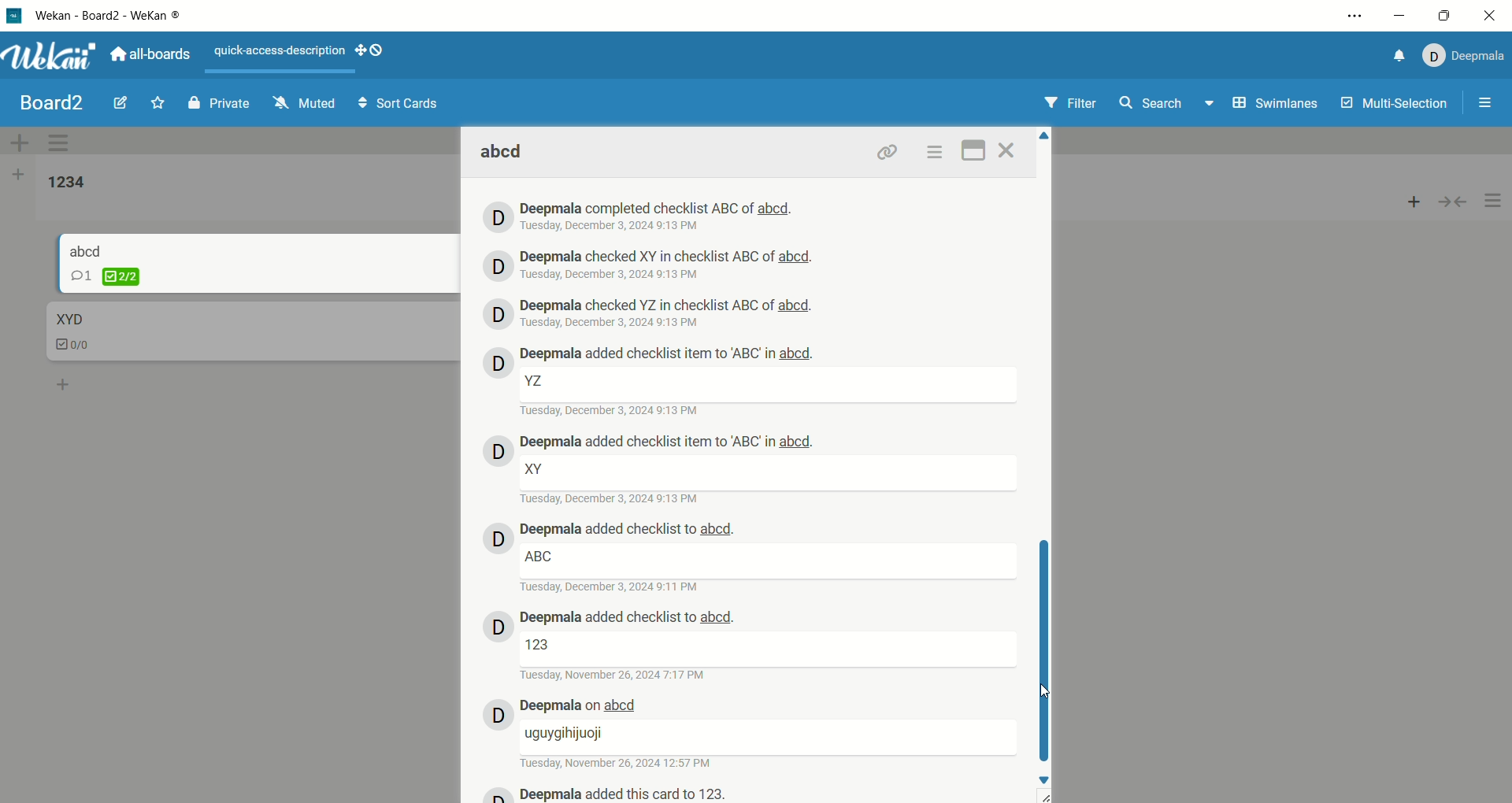 This screenshot has height=803, width=1512. I want to click on minimize, so click(1400, 17).